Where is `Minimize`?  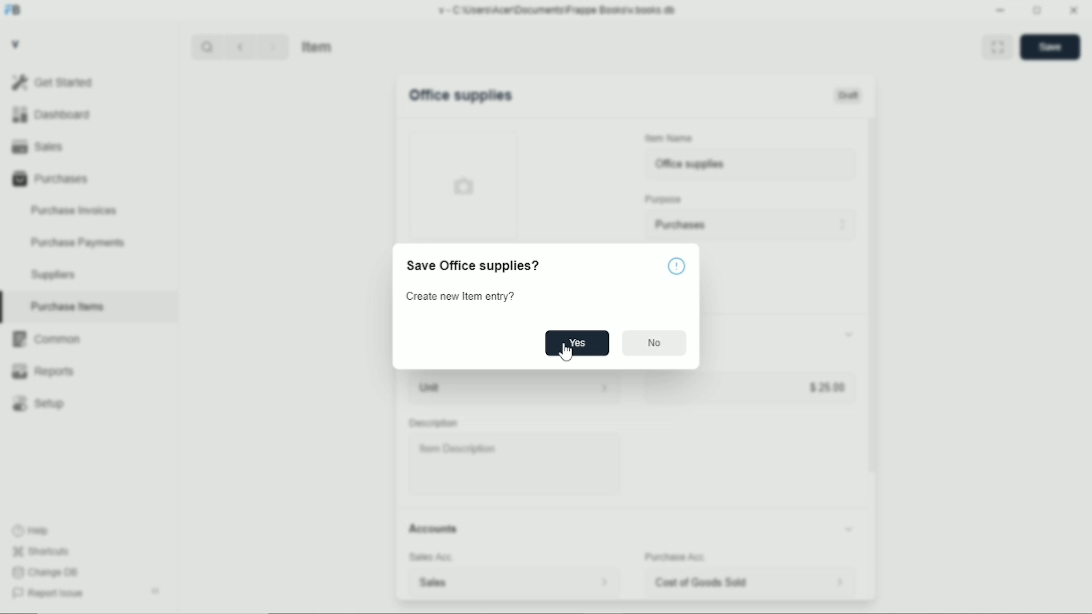
Minimize is located at coordinates (1000, 10).